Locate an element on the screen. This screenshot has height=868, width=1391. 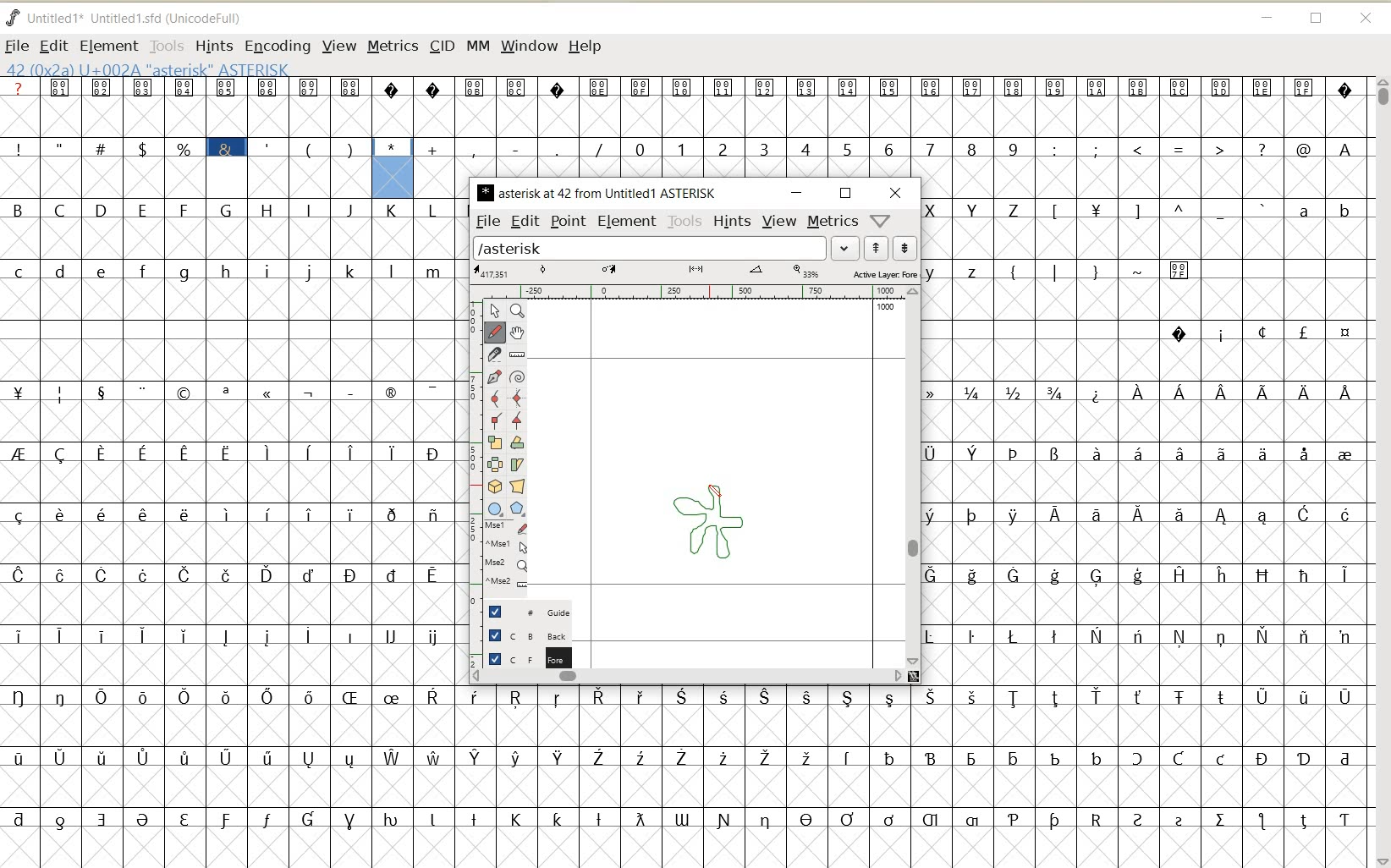
RULER is located at coordinates (688, 291).